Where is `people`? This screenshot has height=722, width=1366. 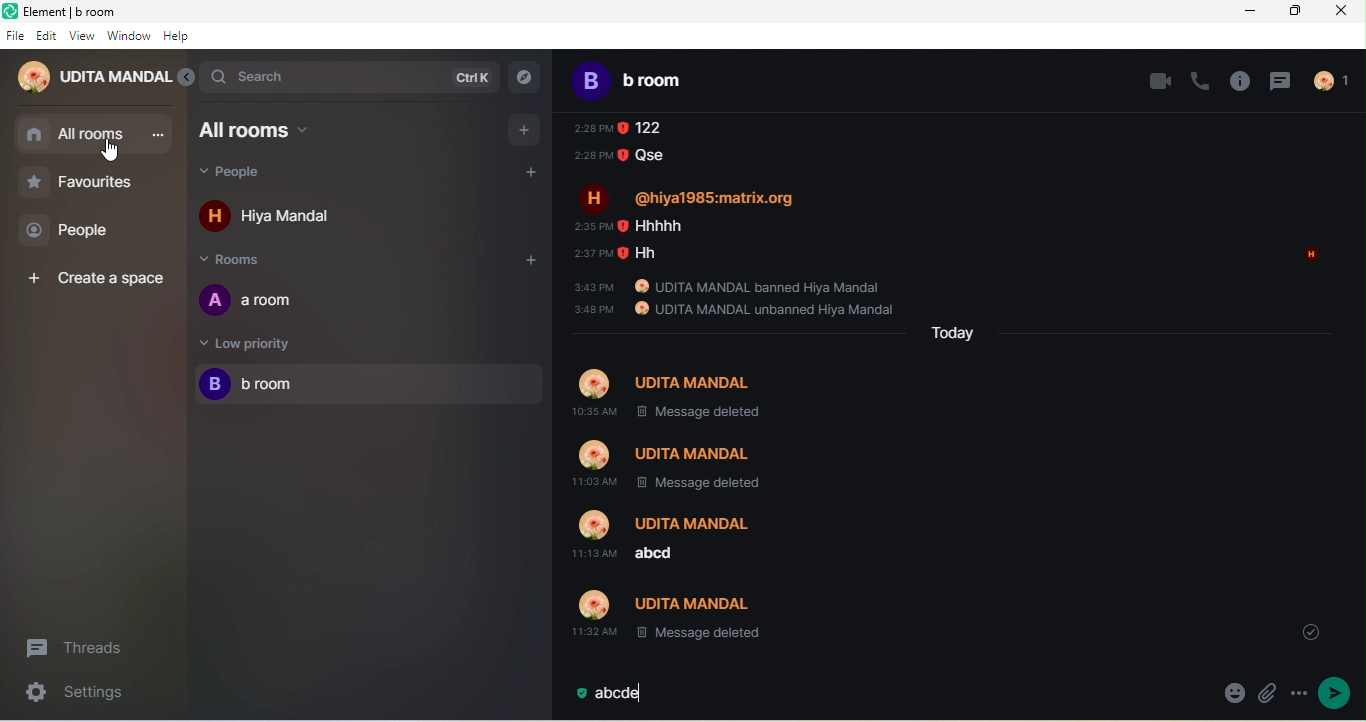 people is located at coordinates (1338, 80).